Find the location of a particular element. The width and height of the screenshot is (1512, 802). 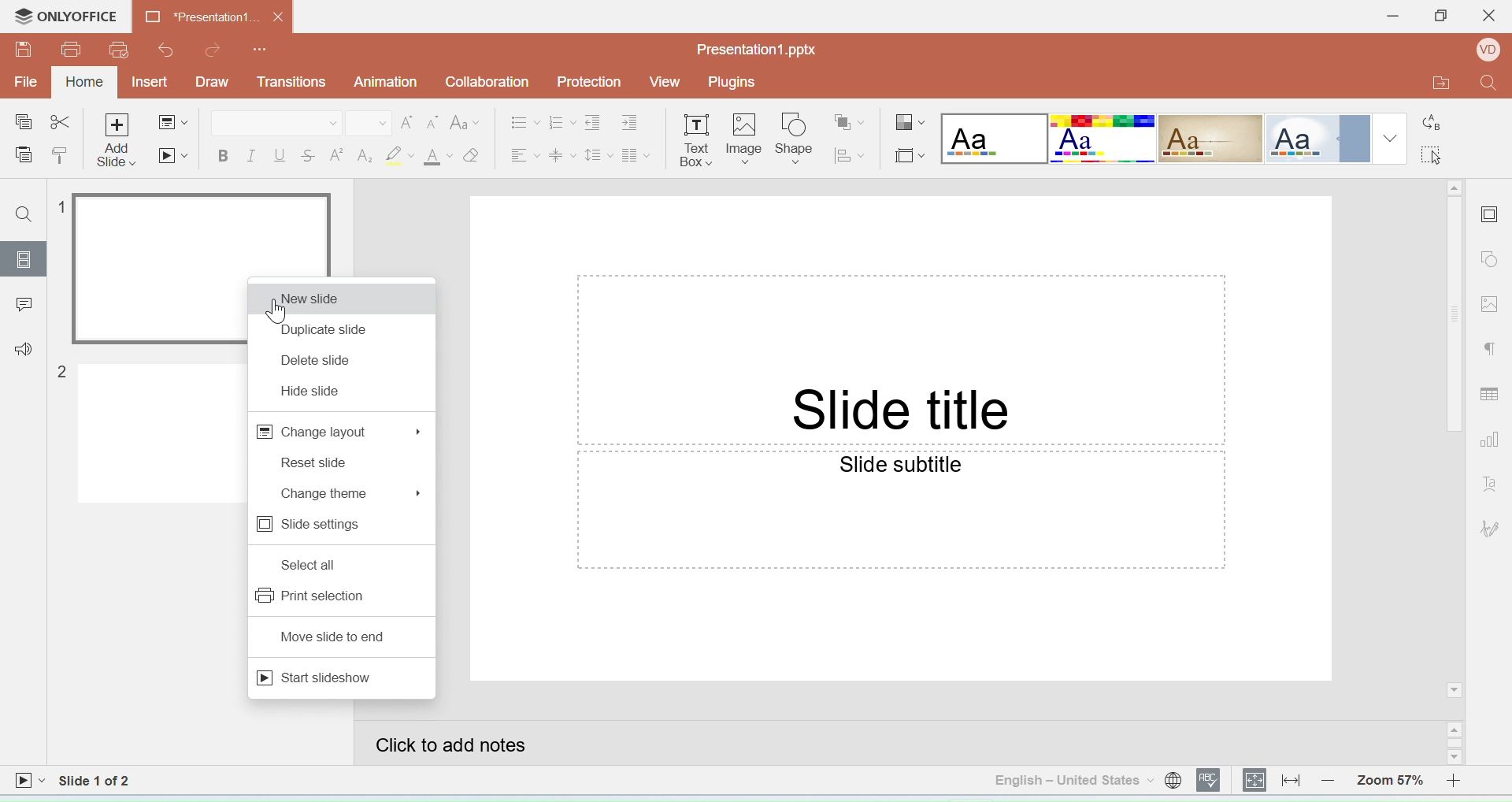

Close is located at coordinates (1488, 20).